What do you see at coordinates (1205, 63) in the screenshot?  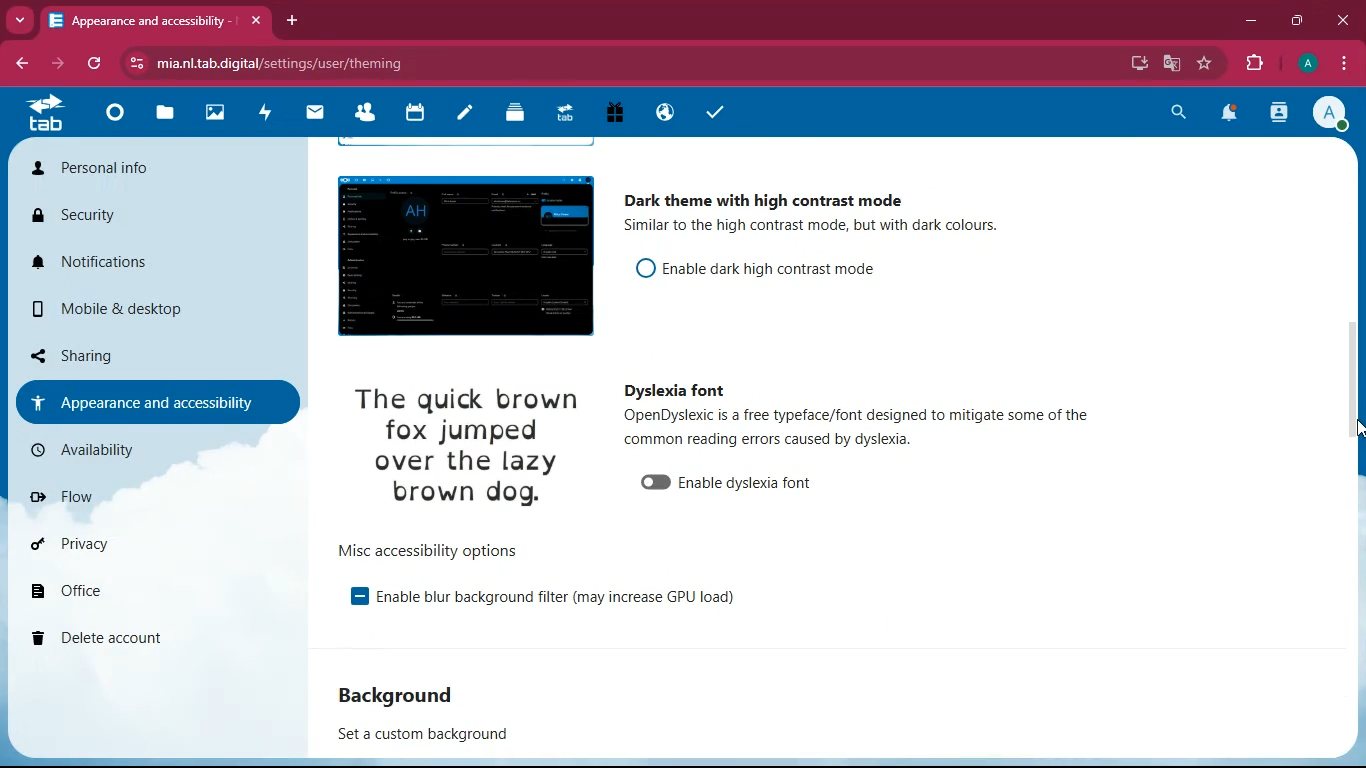 I see `favourite` at bounding box center [1205, 63].